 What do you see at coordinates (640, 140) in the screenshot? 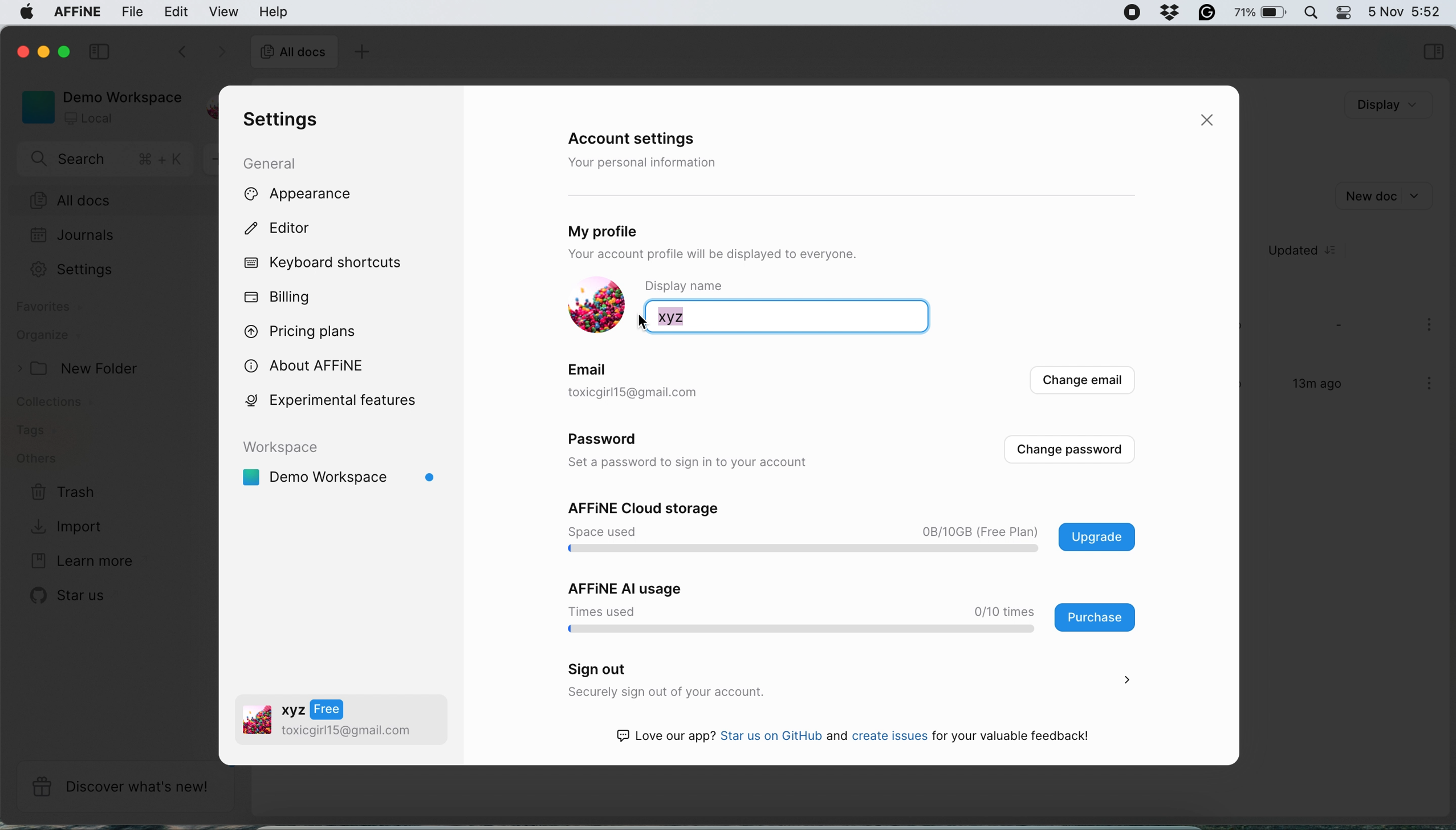
I see `account settings` at bounding box center [640, 140].